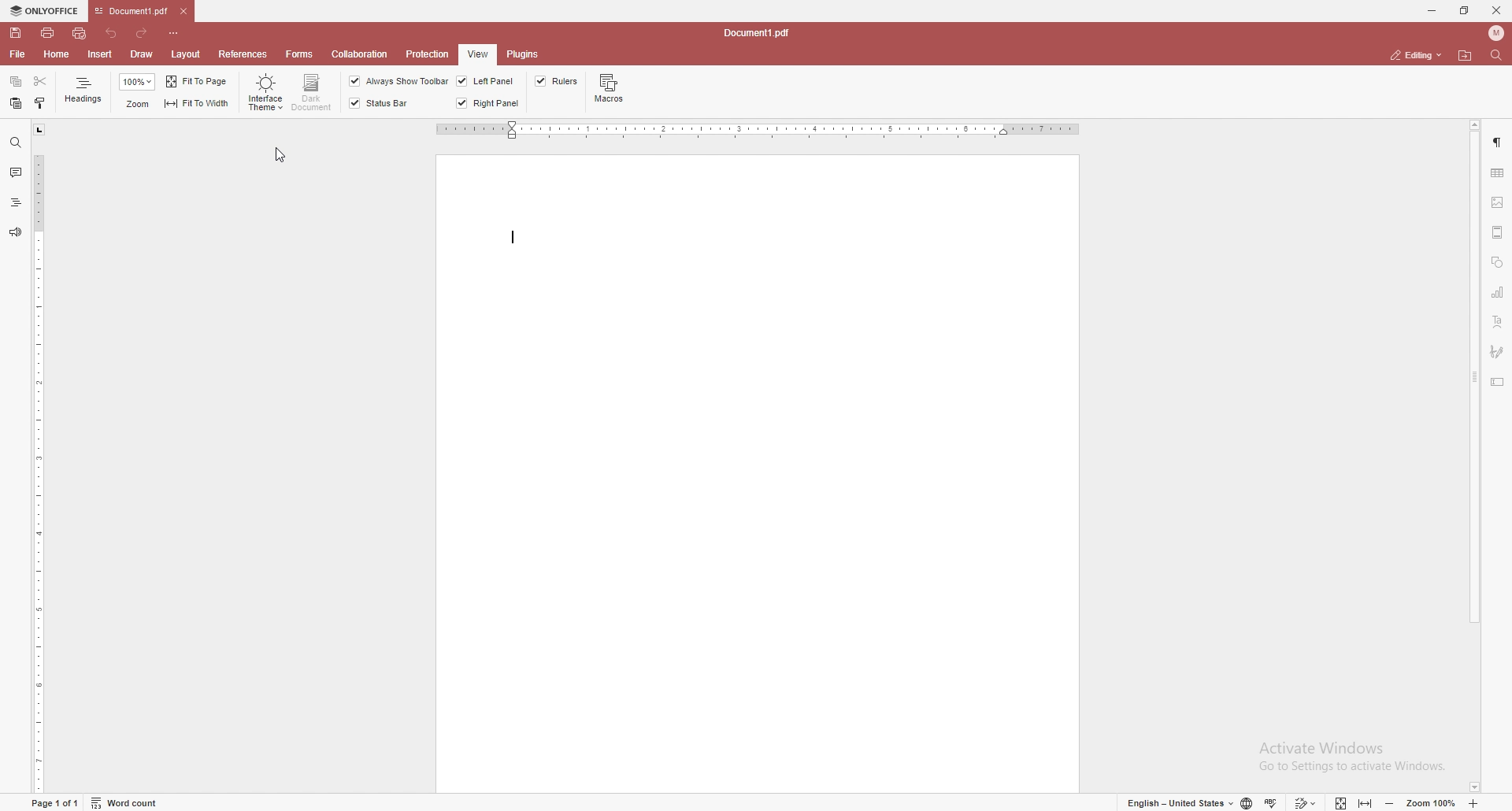  I want to click on scroll bar, so click(1474, 457).